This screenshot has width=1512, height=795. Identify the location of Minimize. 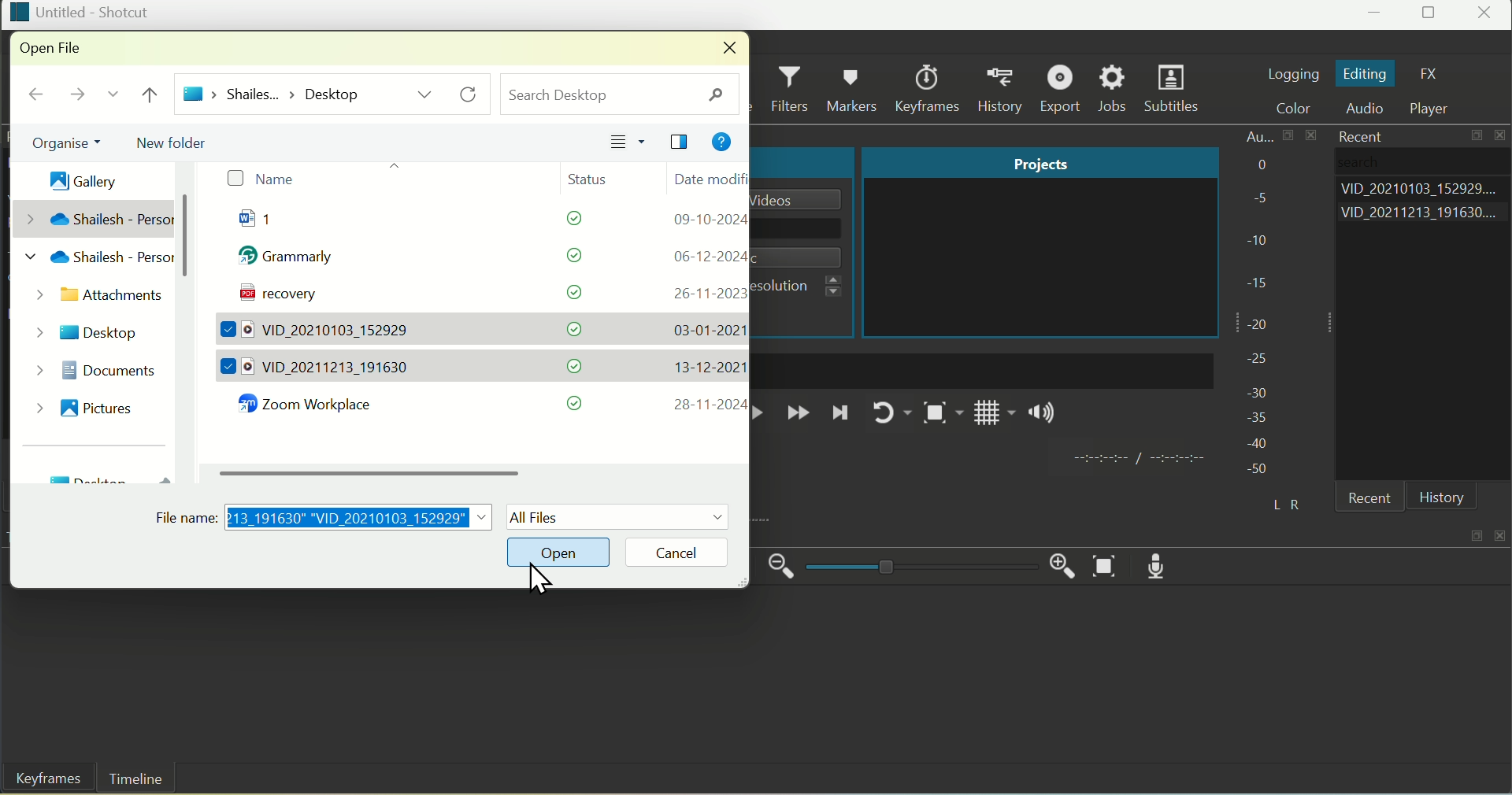
(1377, 16).